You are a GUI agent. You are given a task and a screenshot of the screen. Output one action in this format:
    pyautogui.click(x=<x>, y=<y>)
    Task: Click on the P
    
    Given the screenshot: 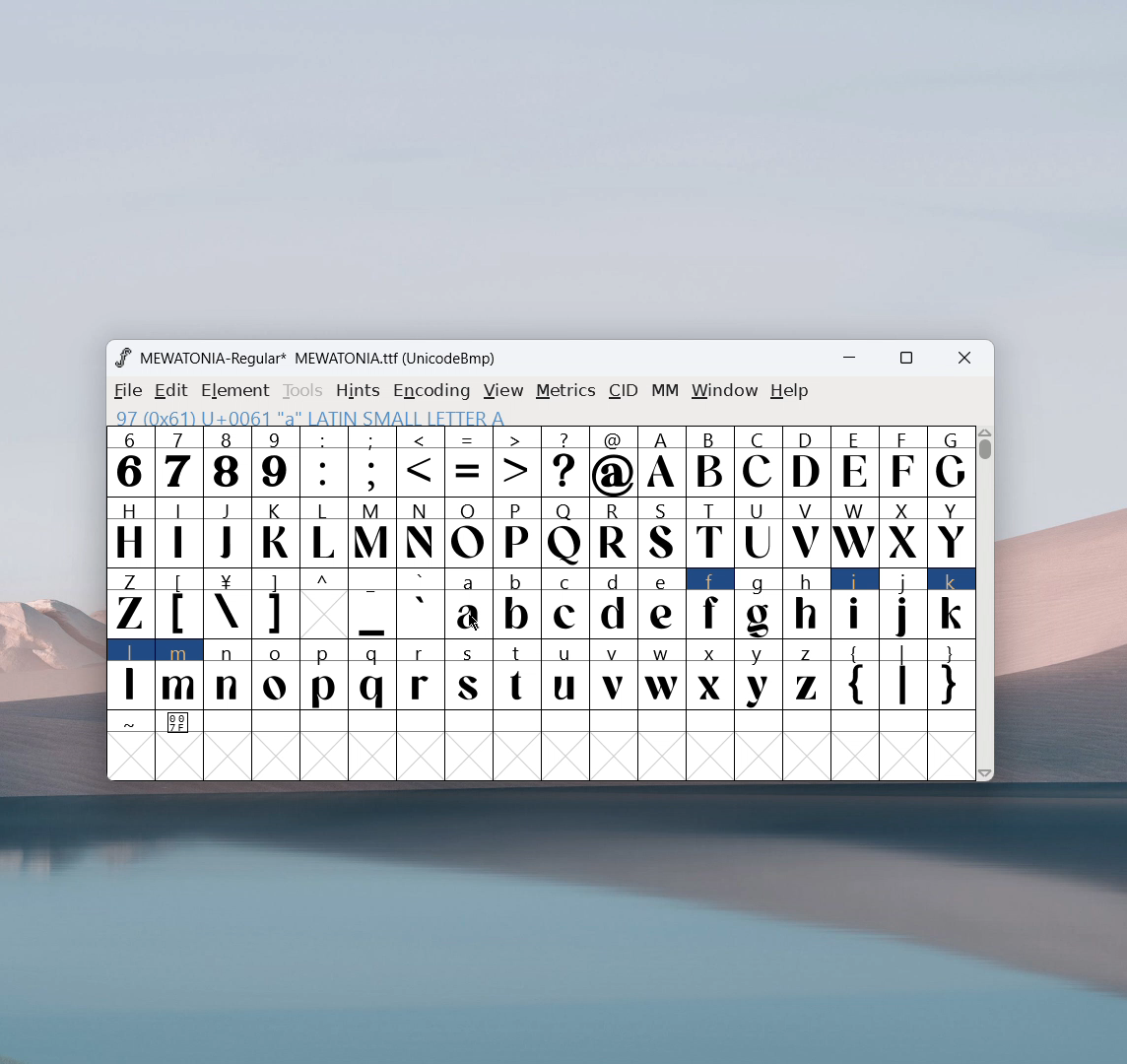 What is the action you would take?
    pyautogui.click(x=516, y=534)
    